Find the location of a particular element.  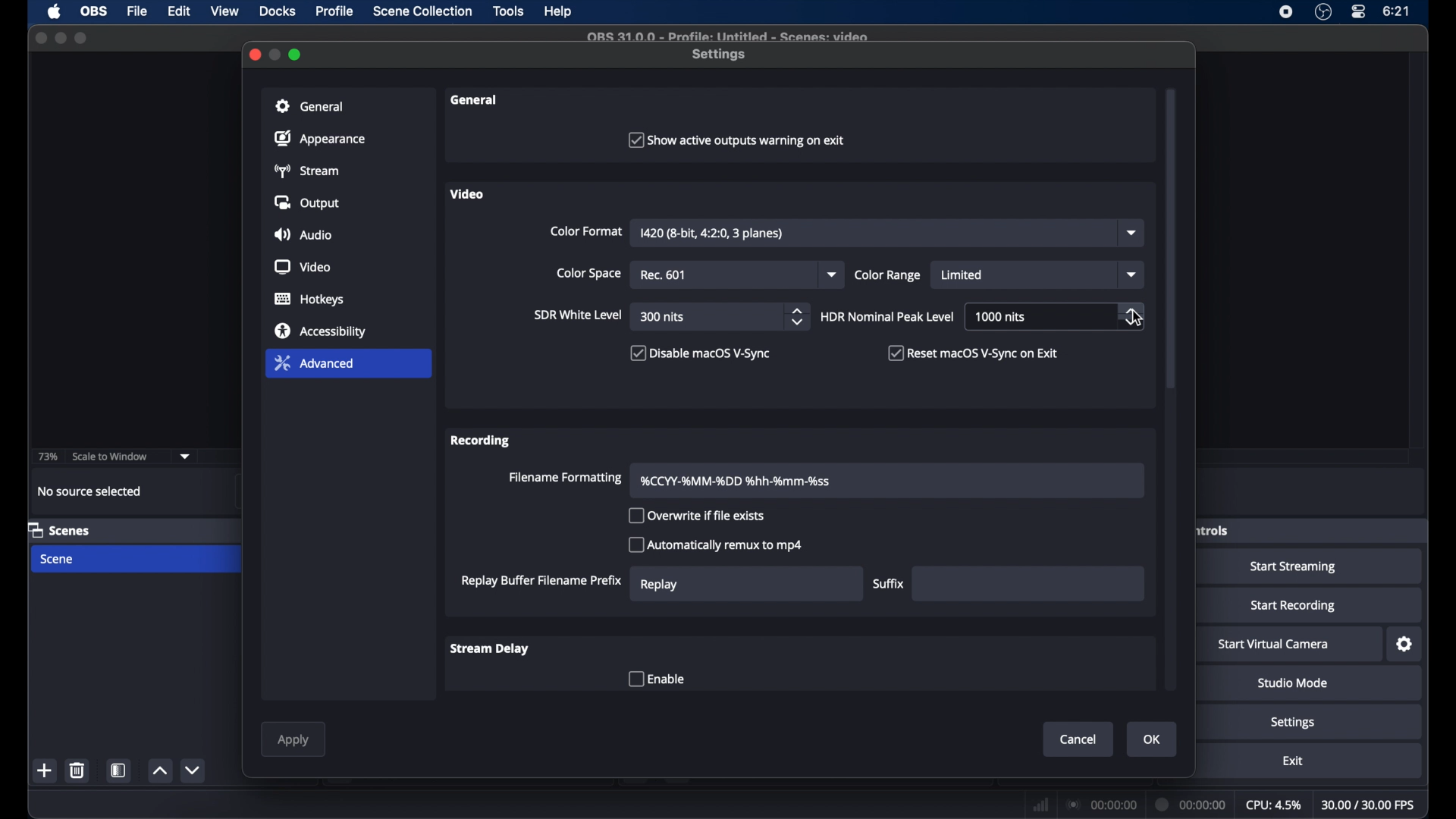

minimize is located at coordinates (60, 38).